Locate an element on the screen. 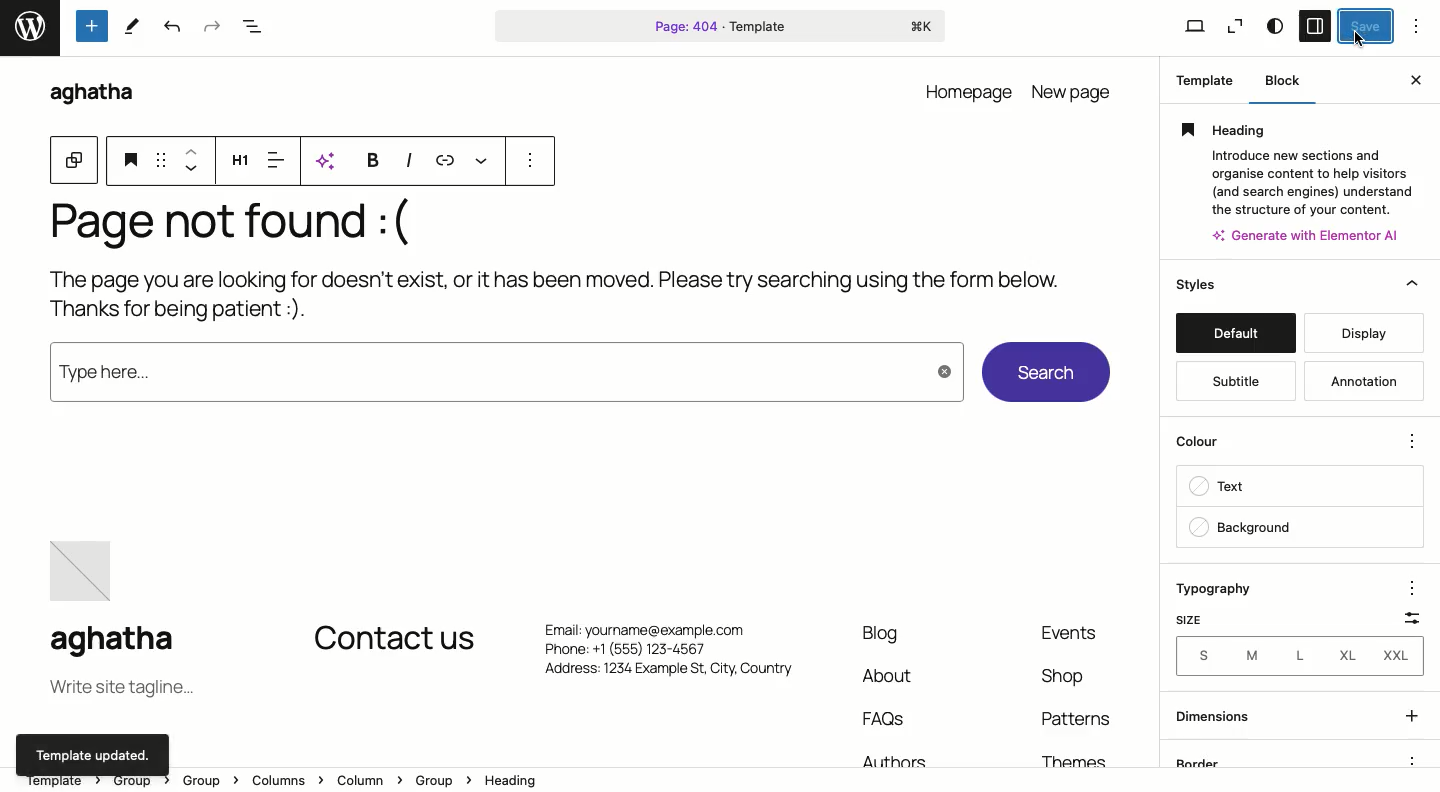  Italics is located at coordinates (409, 160).